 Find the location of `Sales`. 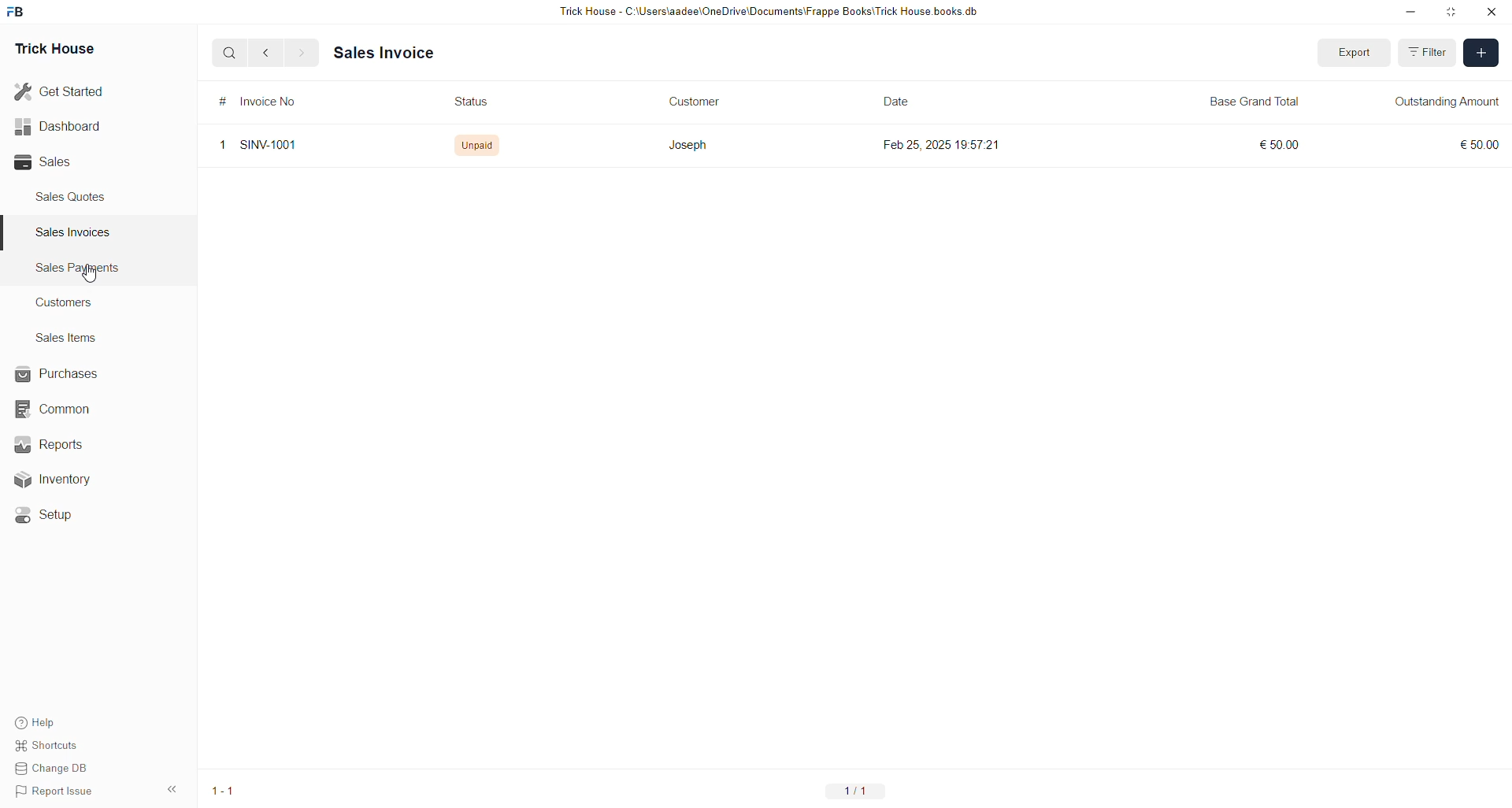

Sales is located at coordinates (47, 162).